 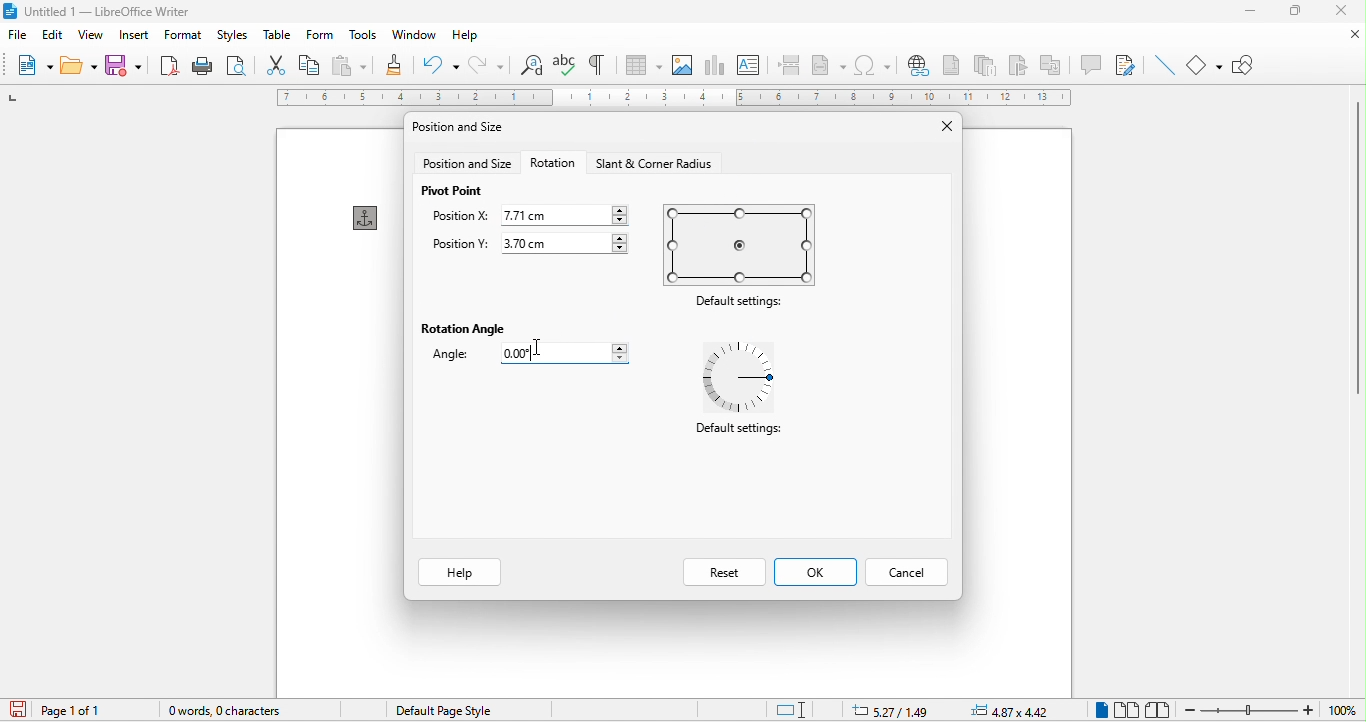 I want to click on help, so click(x=461, y=573).